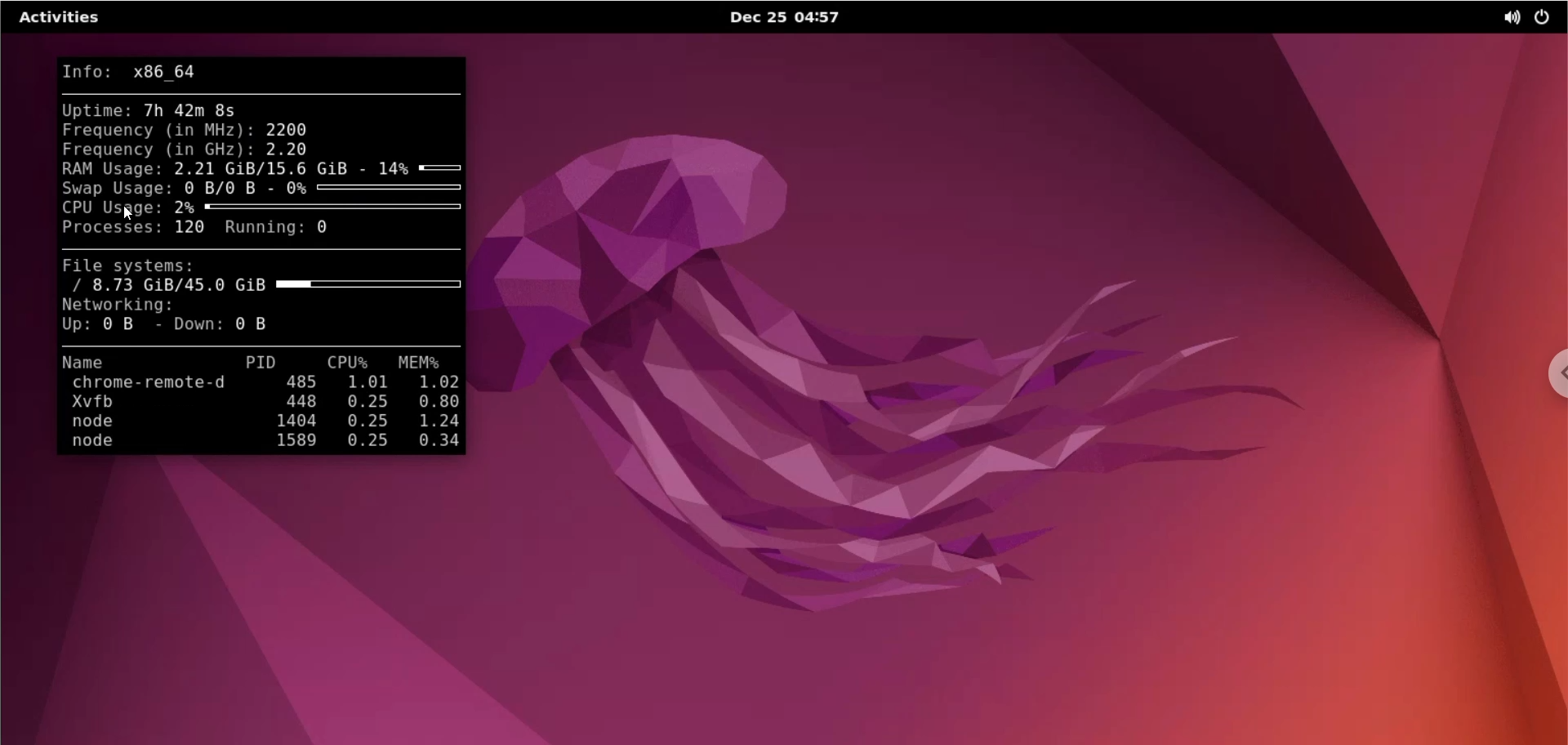  What do you see at coordinates (290, 129) in the screenshot?
I see `2200` at bounding box center [290, 129].